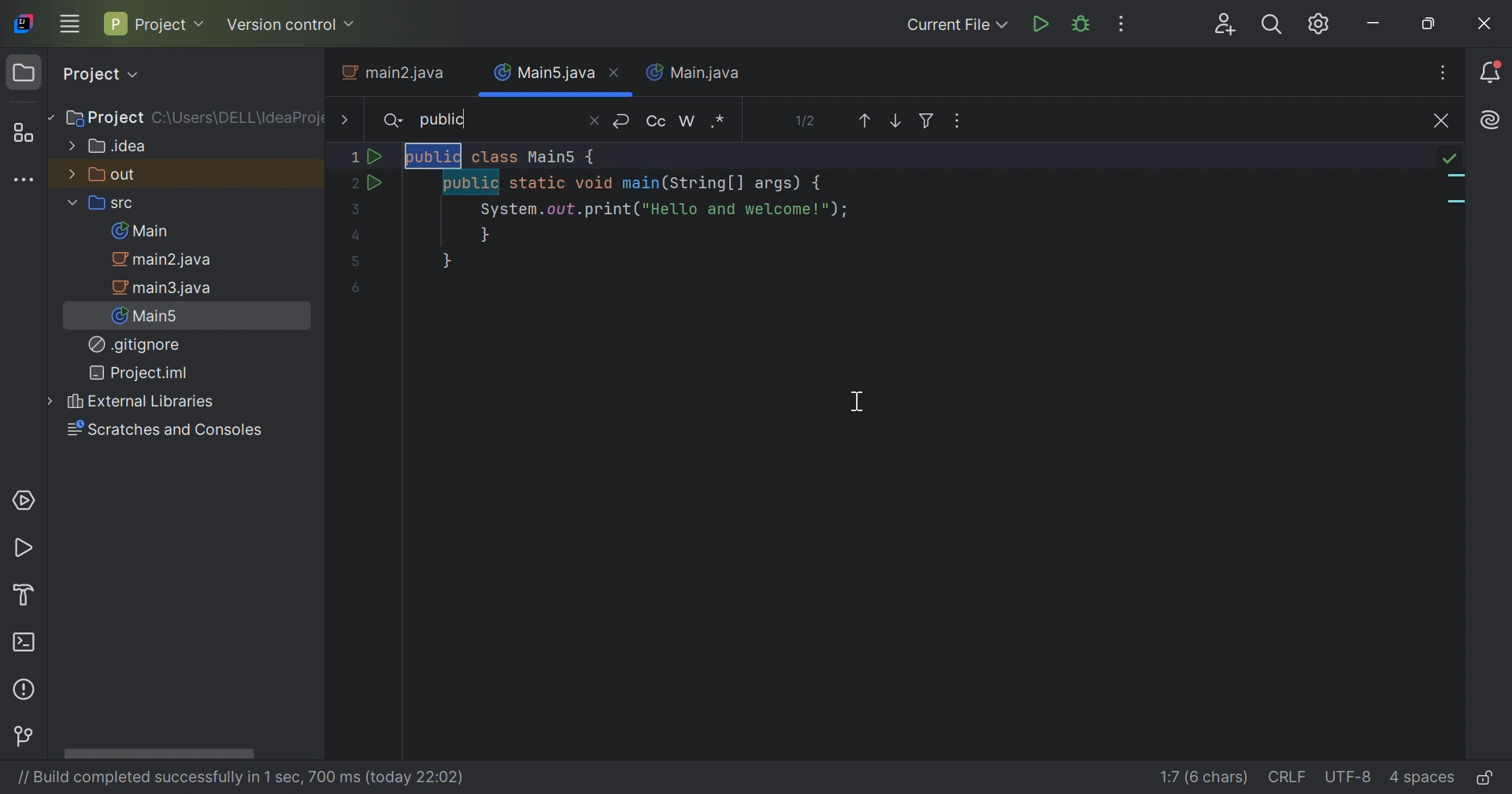 This screenshot has width=1512, height=794. I want to click on main2.java, so click(169, 260).